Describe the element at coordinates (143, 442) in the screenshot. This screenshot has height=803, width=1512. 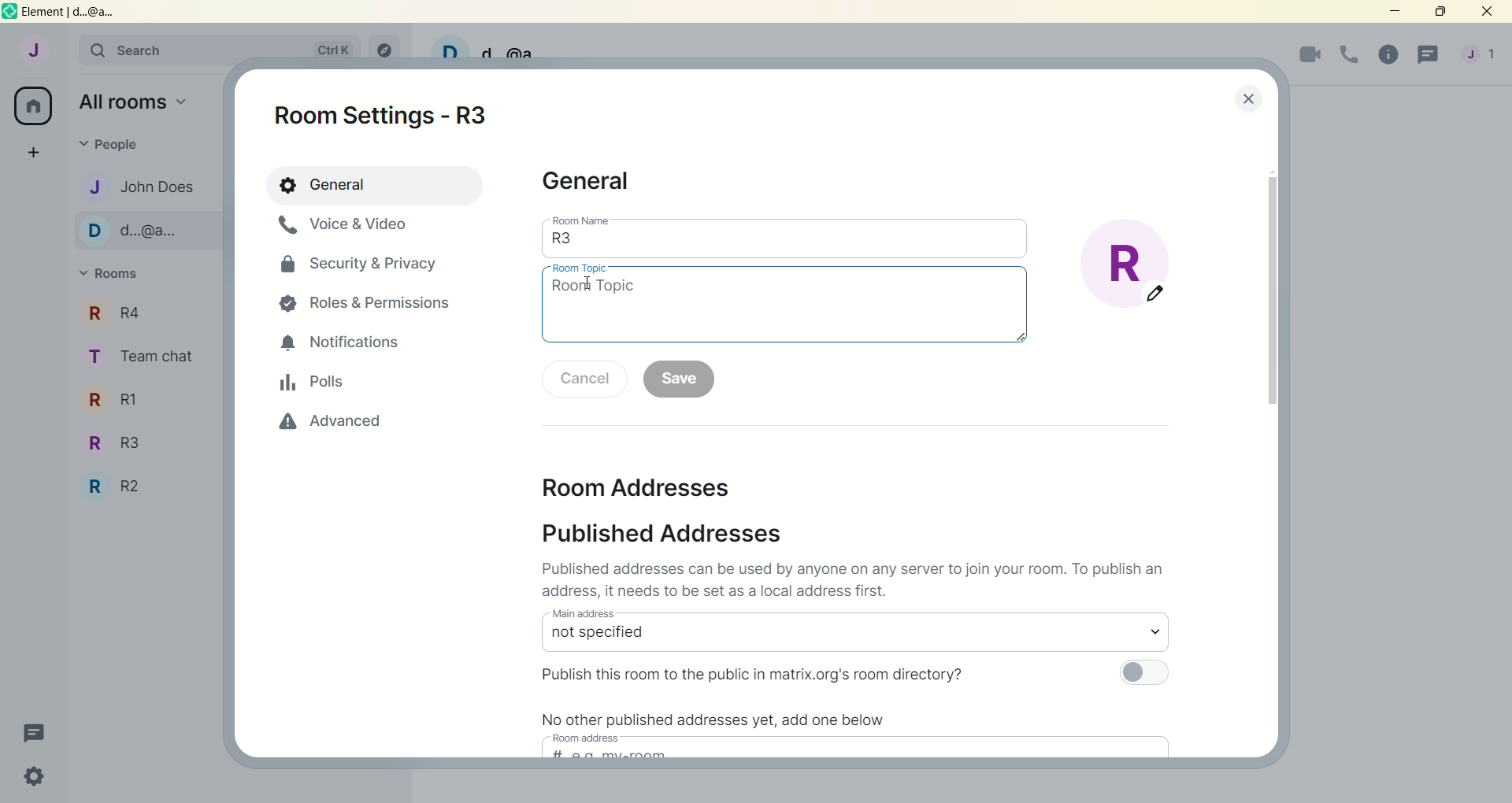
I see `R3` at that location.